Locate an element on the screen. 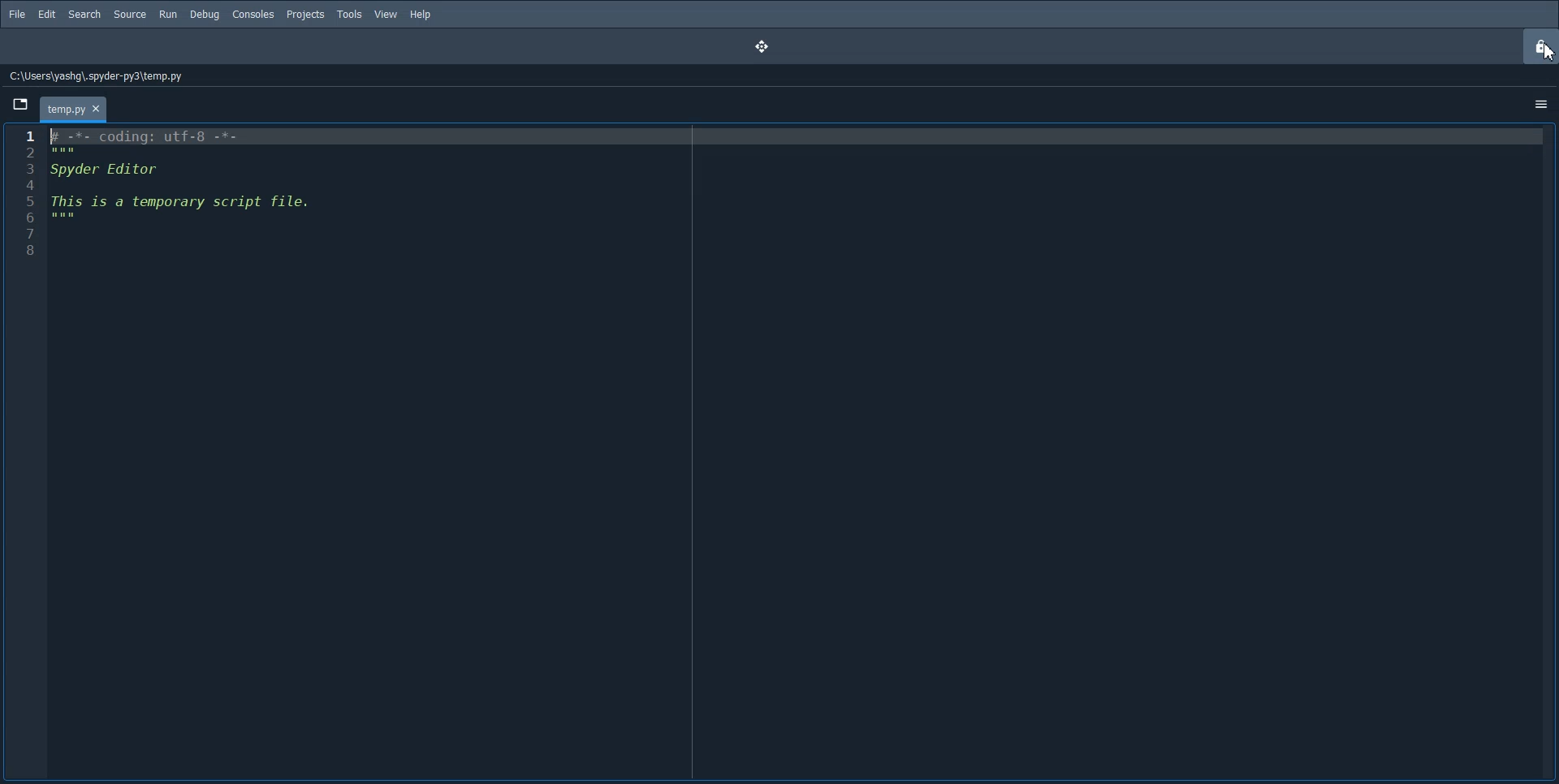 The width and height of the screenshot is (1559, 784). Edit is located at coordinates (46, 14).